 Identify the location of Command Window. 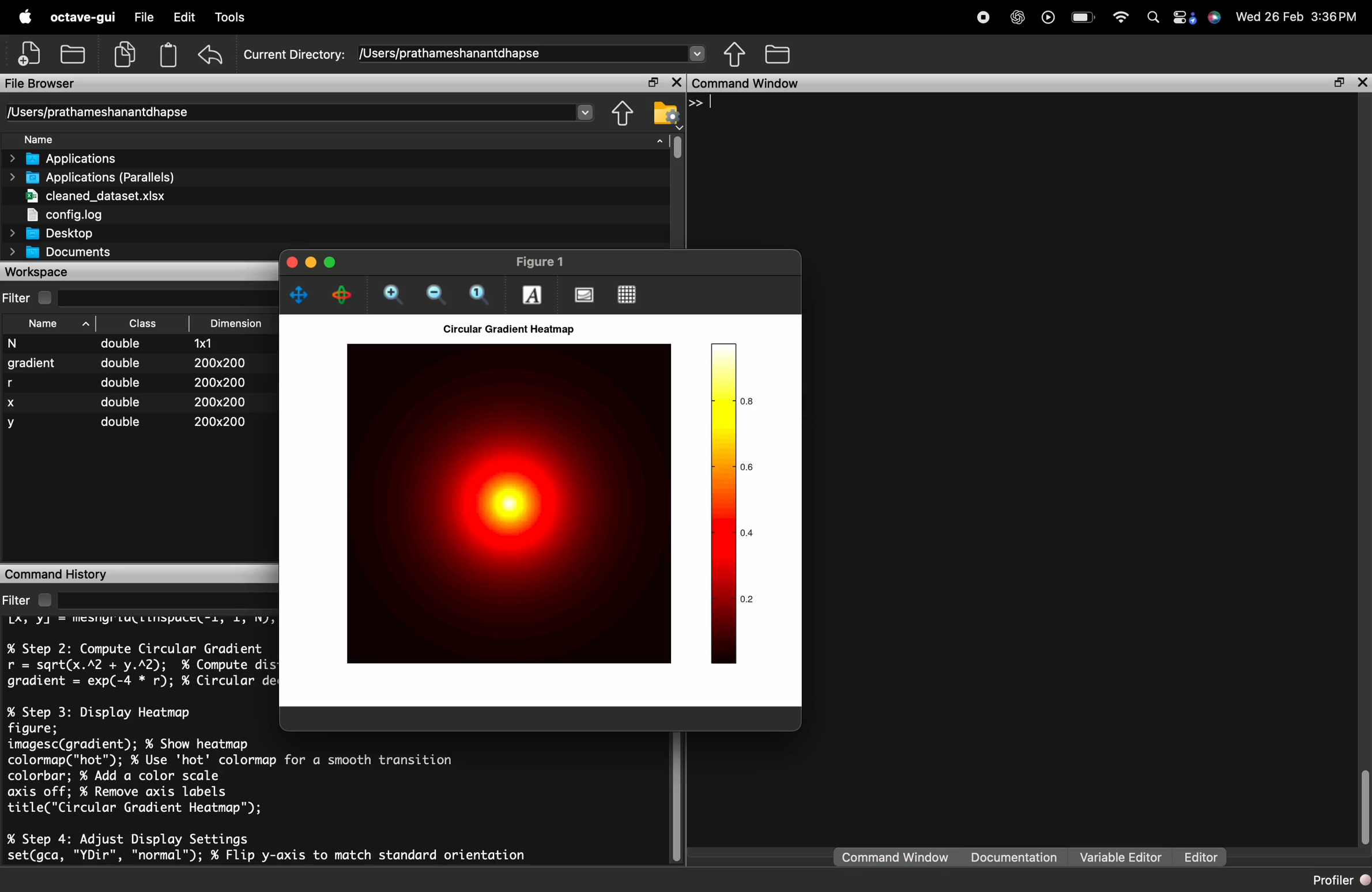
(891, 857).